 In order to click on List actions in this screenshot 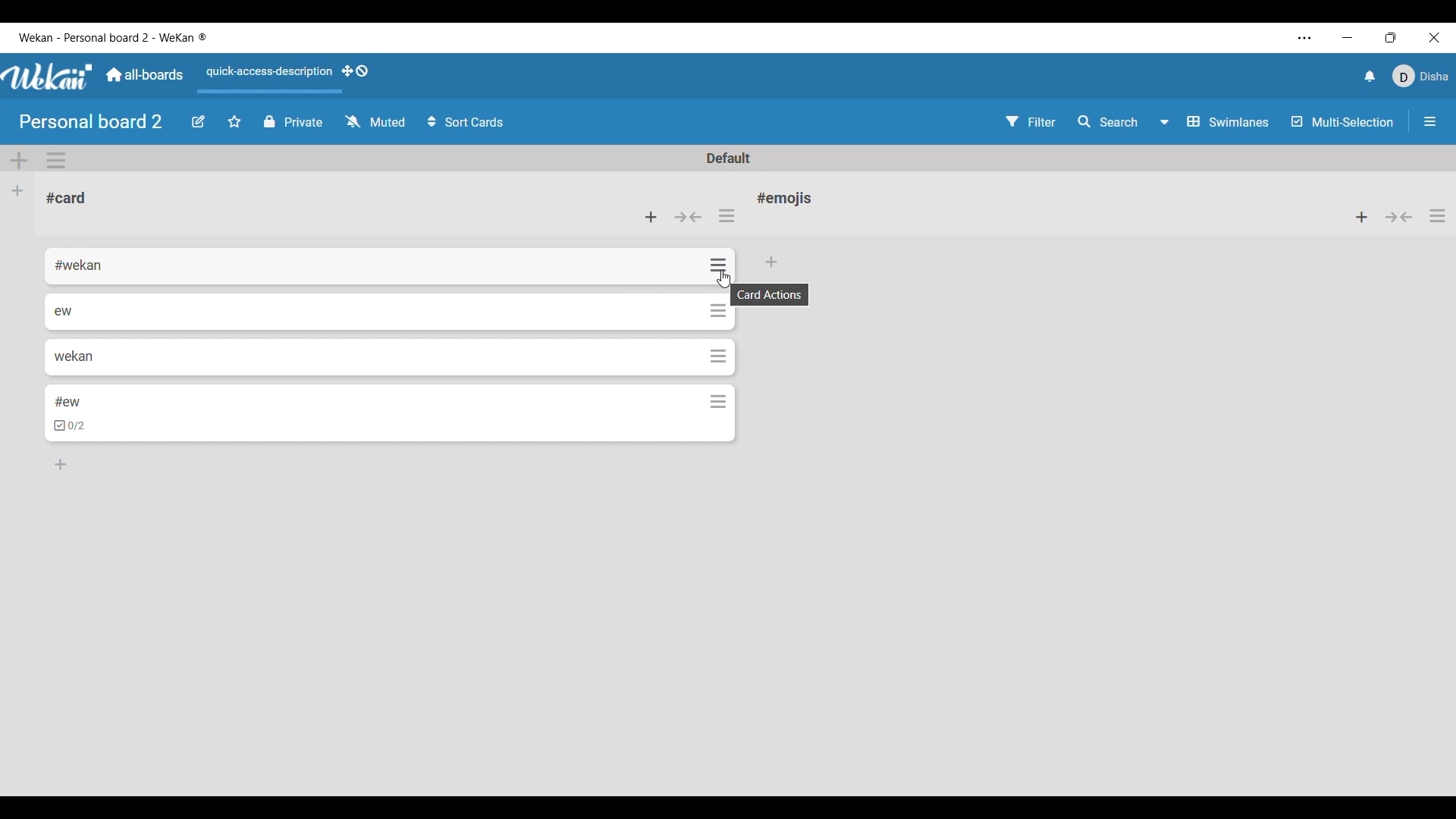, I will do `click(726, 215)`.